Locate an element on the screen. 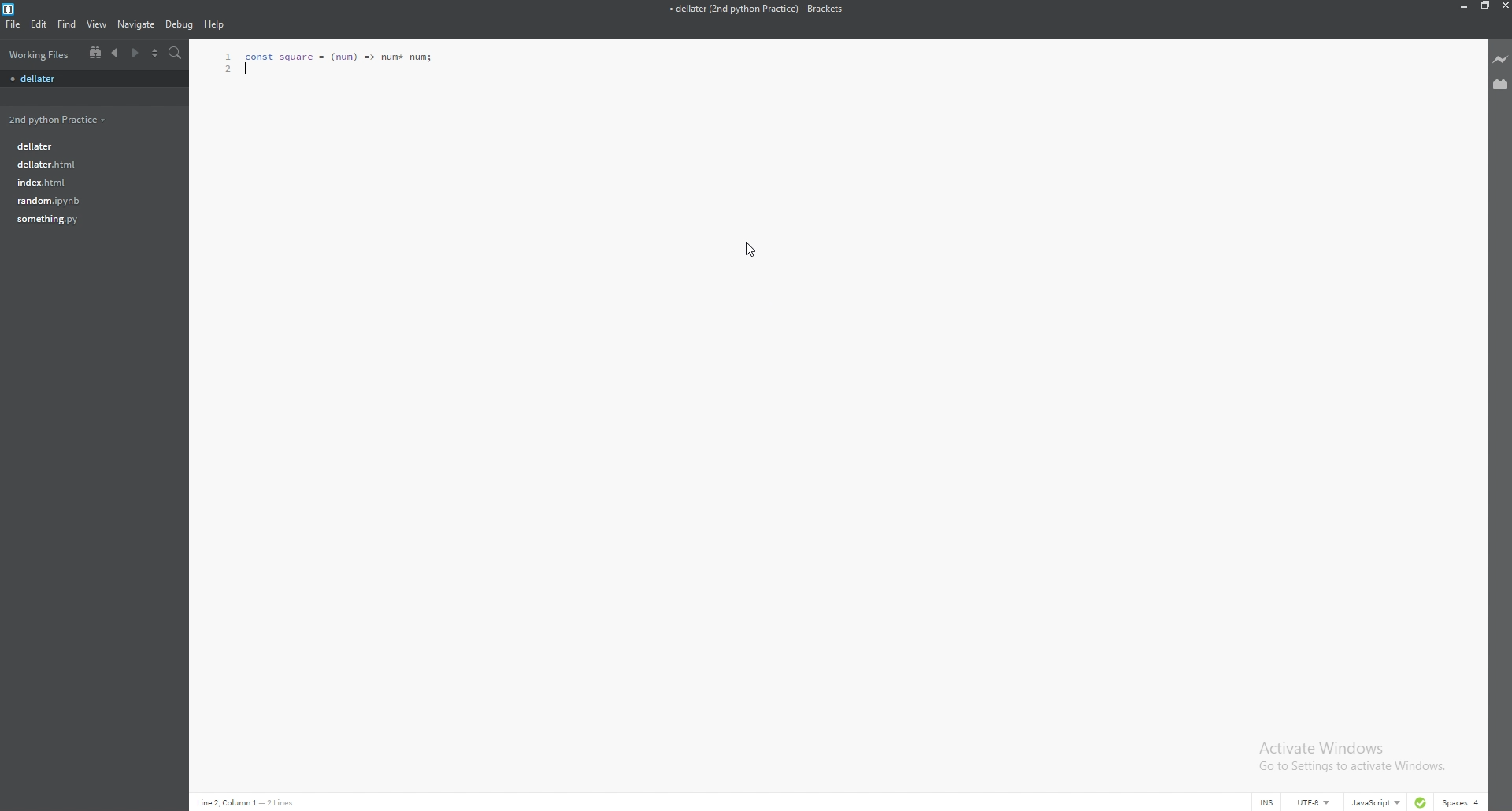 This screenshot has height=811, width=1512. Function code is located at coordinates (337, 56).